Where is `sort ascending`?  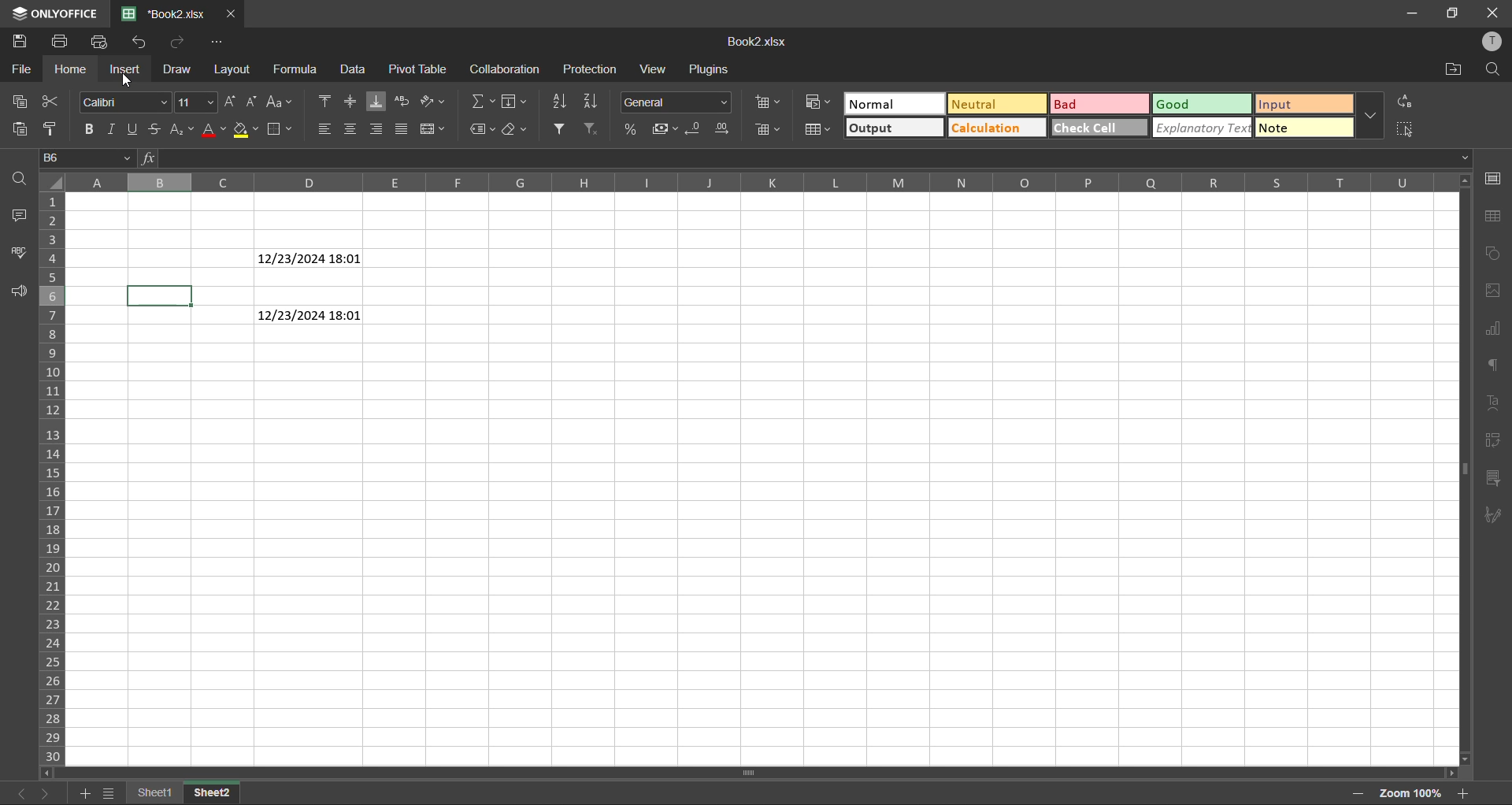
sort ascending is located at coordinates (561, 101).